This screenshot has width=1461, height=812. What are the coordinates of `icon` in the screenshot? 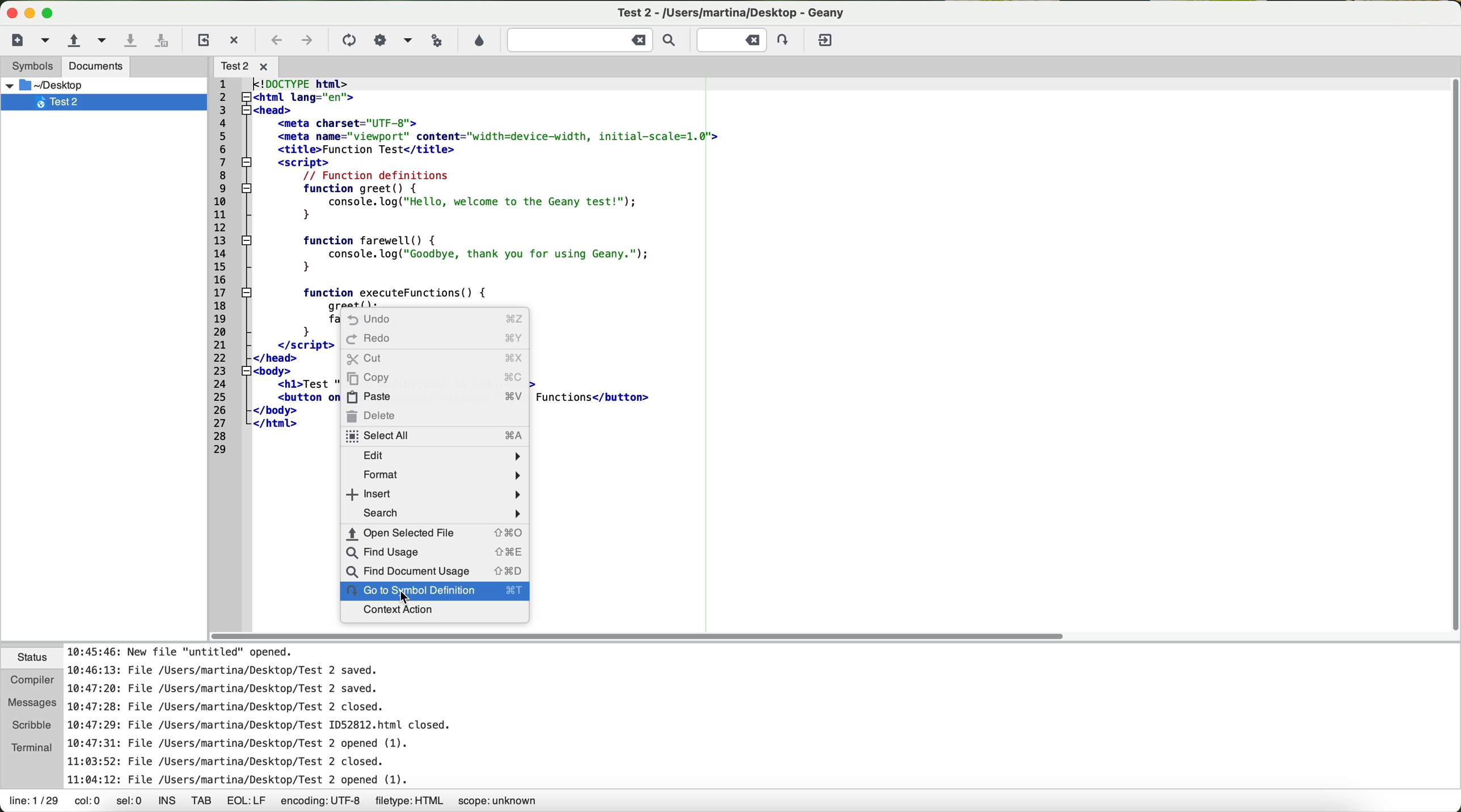 It's located at (380, 40).